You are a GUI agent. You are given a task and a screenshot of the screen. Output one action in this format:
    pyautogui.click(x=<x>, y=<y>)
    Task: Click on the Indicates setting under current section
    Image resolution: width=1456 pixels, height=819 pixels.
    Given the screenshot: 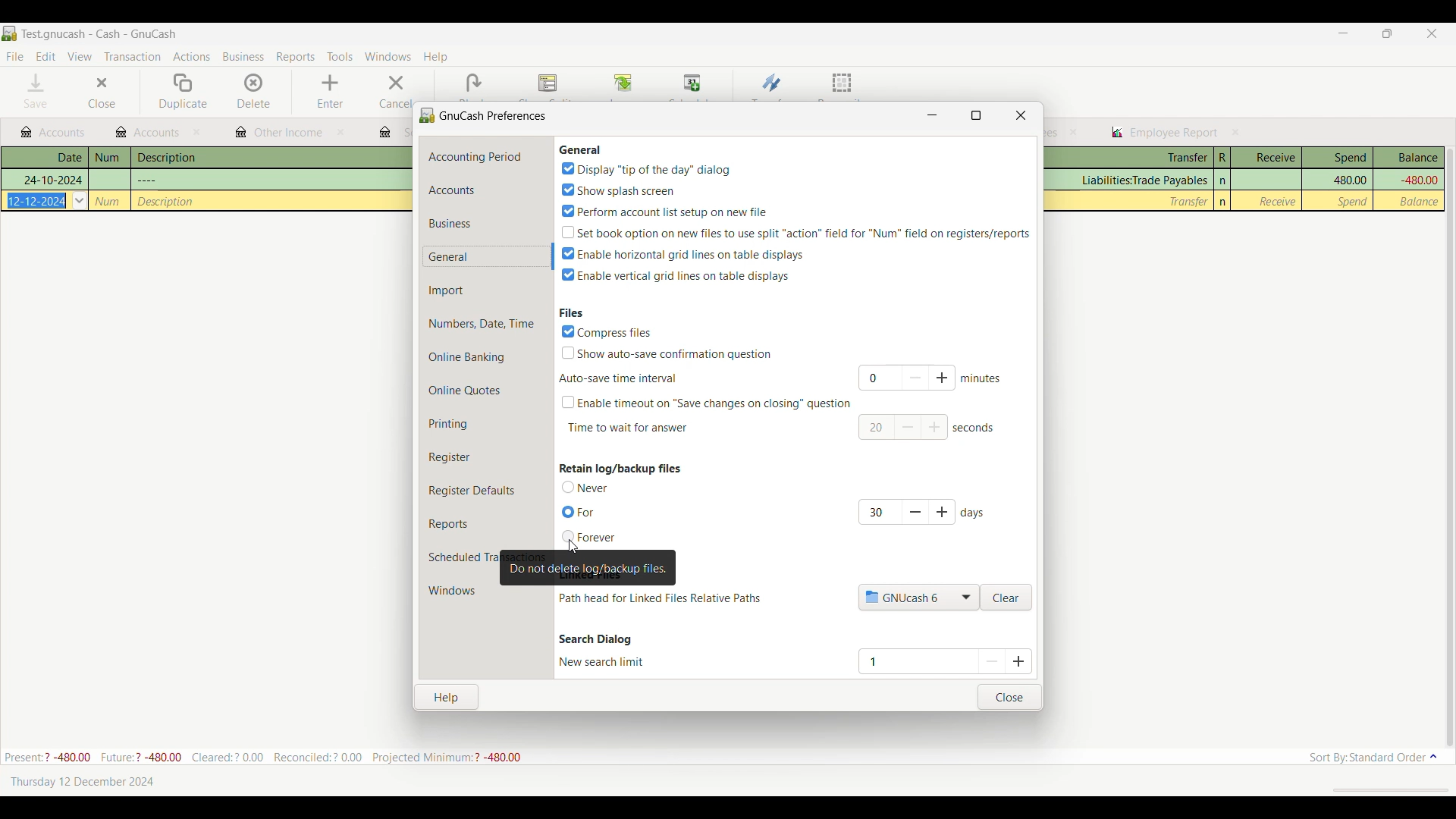 What is the action you would take?
    pyautogui.click(x=602, y=661)
    